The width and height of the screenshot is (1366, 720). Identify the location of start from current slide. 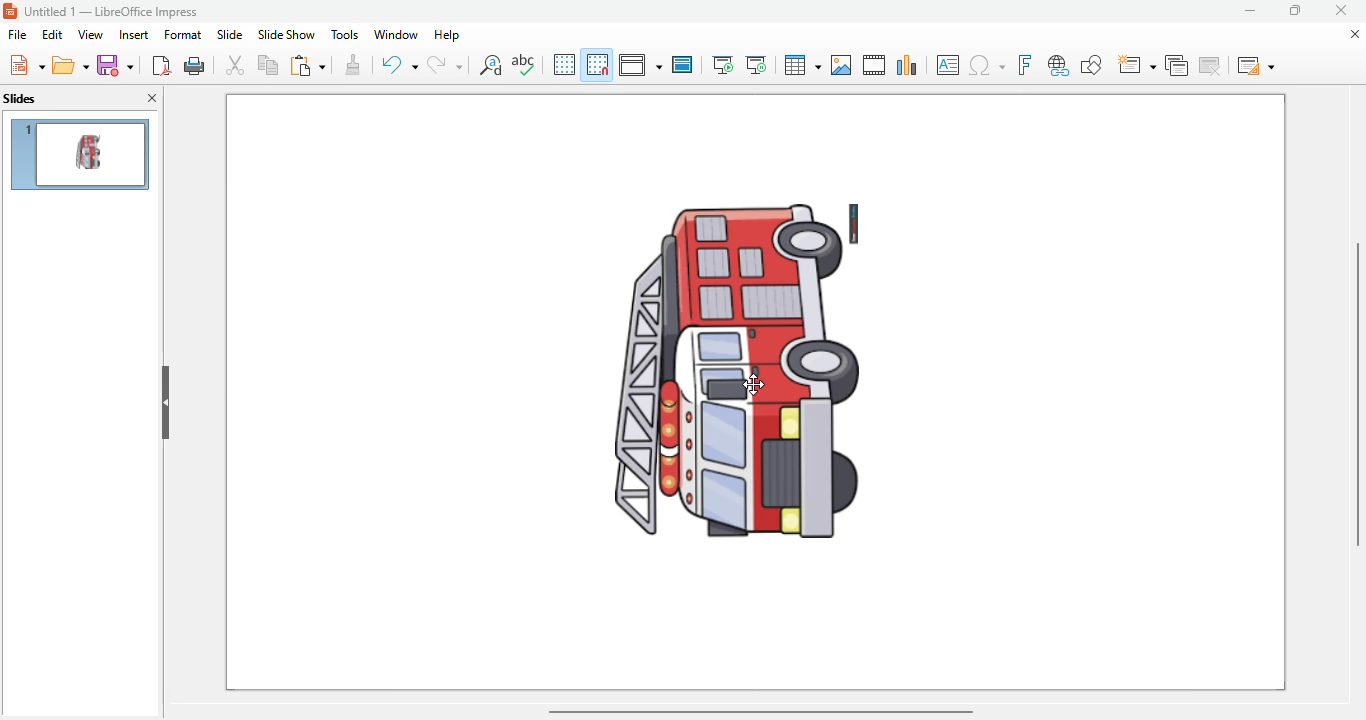
(756, 65).